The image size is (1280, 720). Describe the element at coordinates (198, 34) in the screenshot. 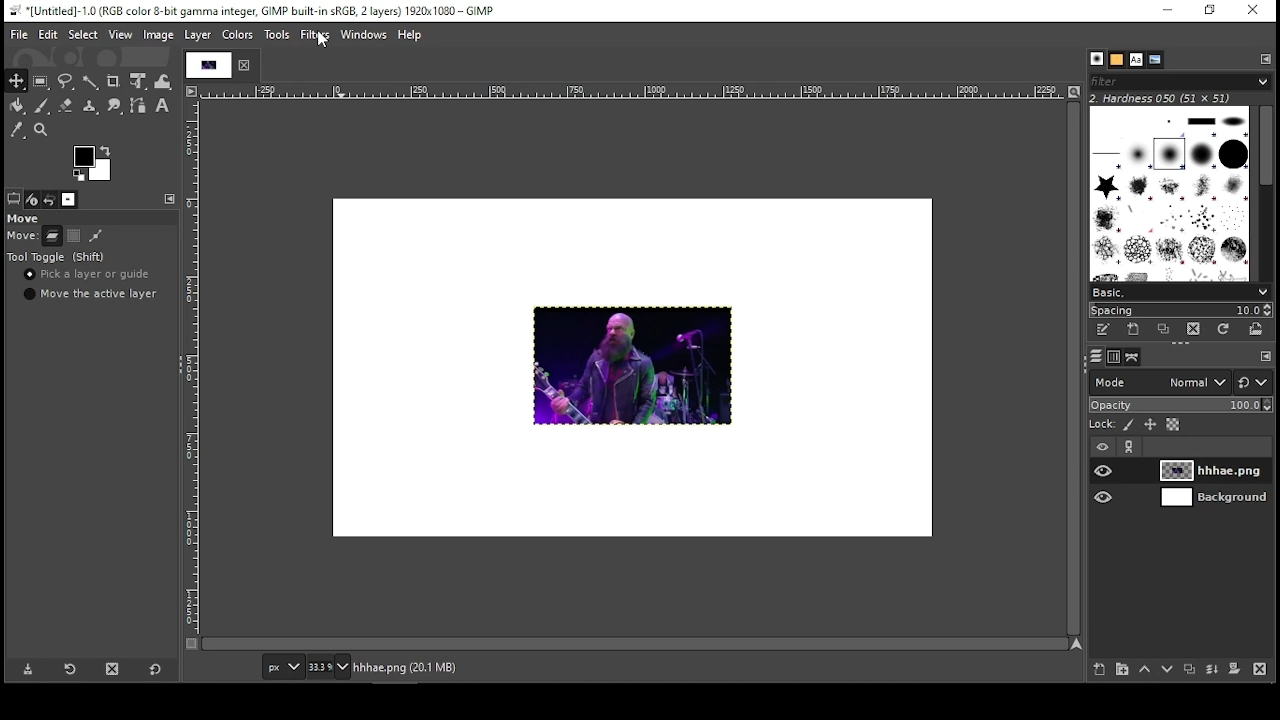

I see `layer` at that location.